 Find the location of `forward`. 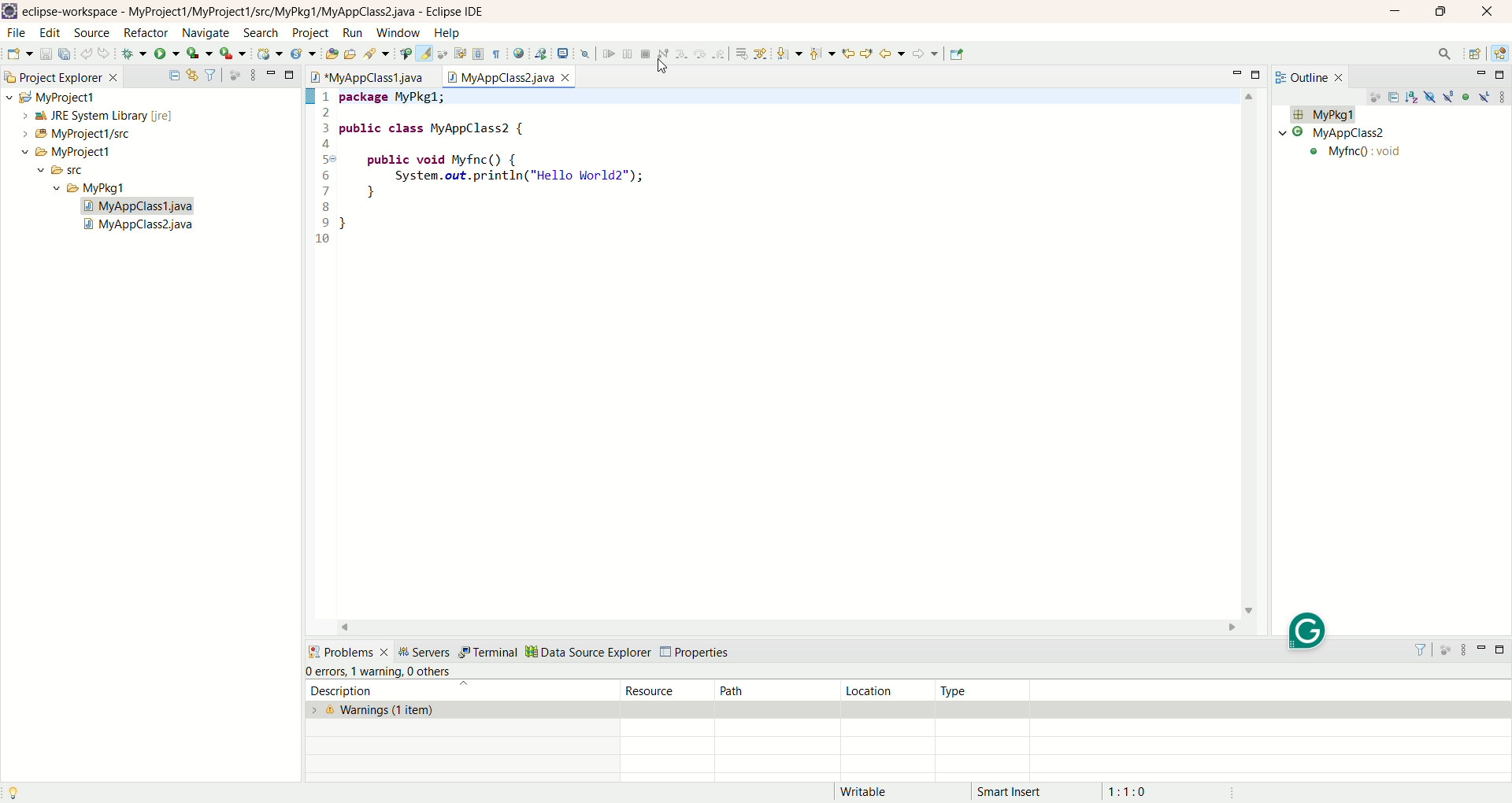

forward is located at coordinates (925, 54).